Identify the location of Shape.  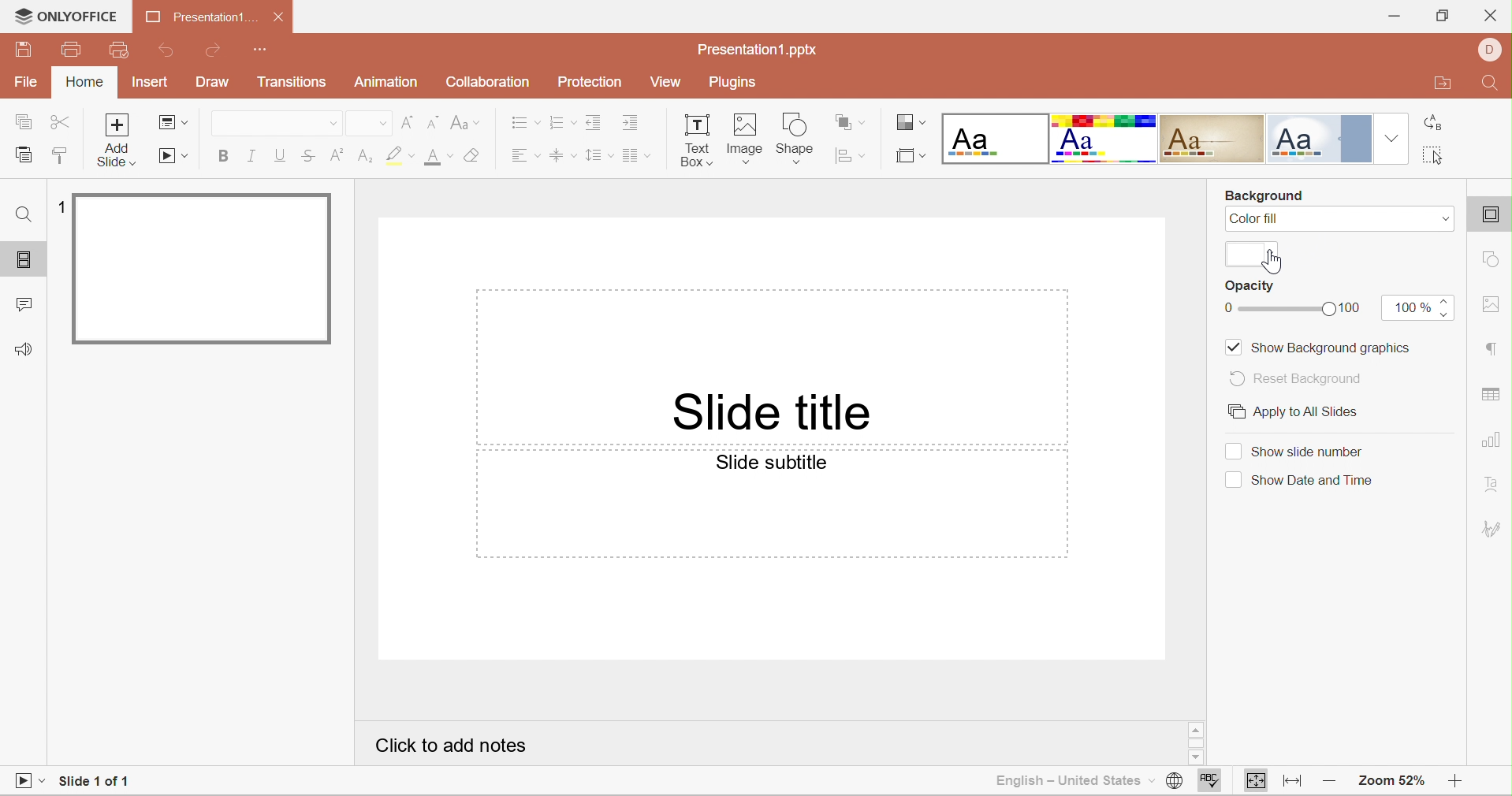
(795, 136).